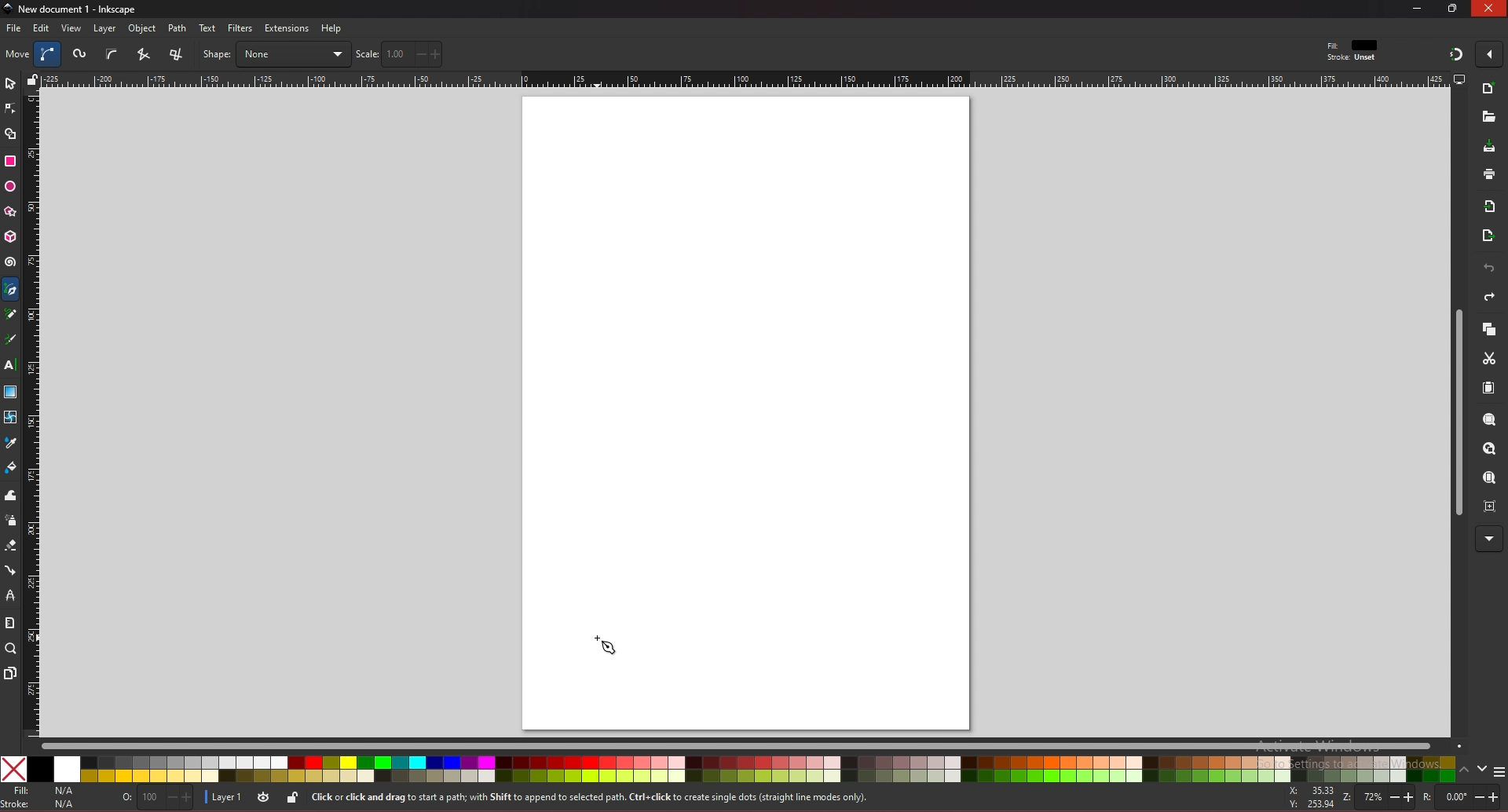  Describe the element at coordinates (10, 521) in the screenshot. I see `spray` at that location.